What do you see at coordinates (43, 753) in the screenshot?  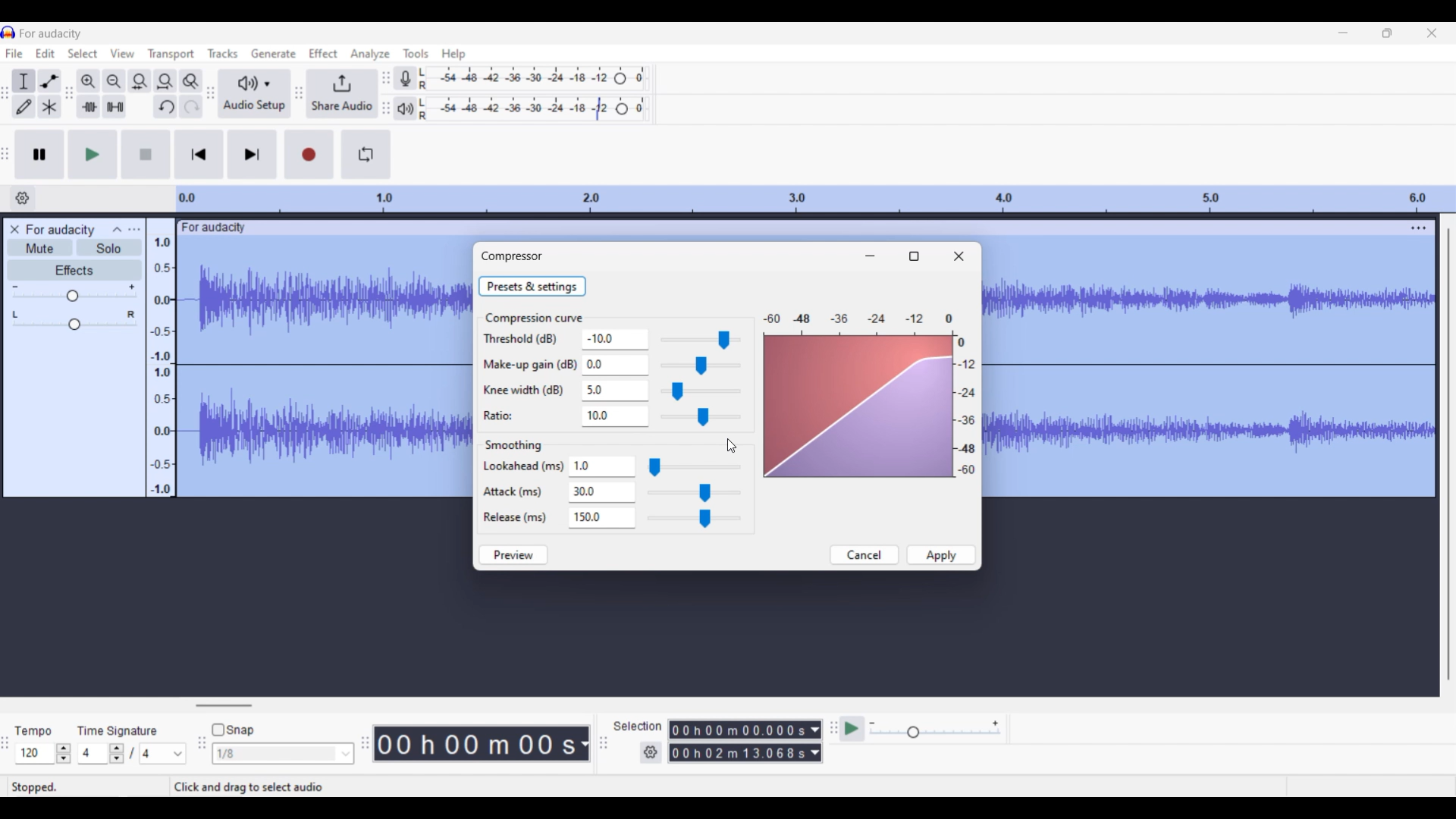 I see `Tempo settings` at bounding box center [43, 753].